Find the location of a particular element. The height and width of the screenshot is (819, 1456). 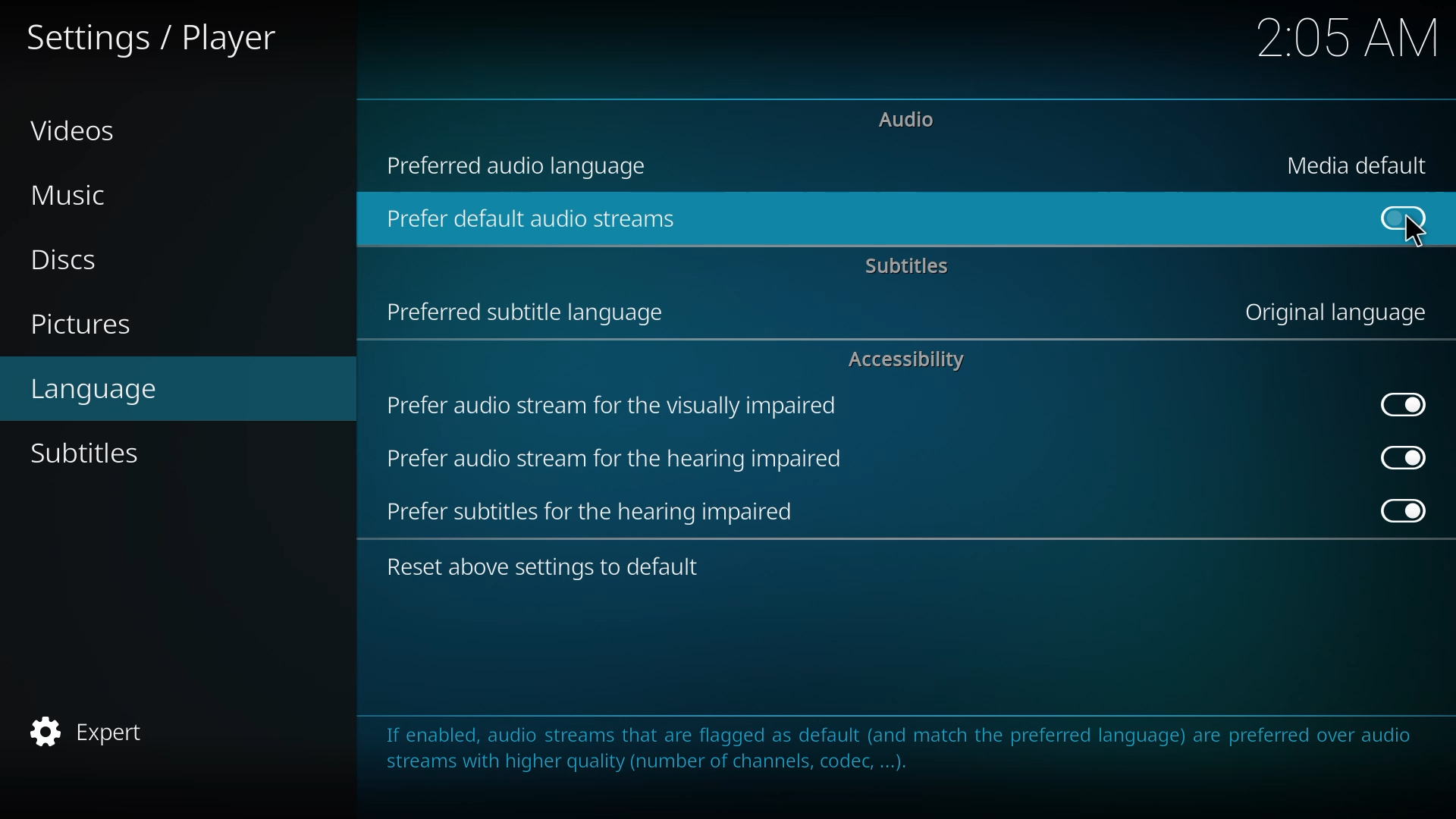

pictures is located at coordinates (84, 327).